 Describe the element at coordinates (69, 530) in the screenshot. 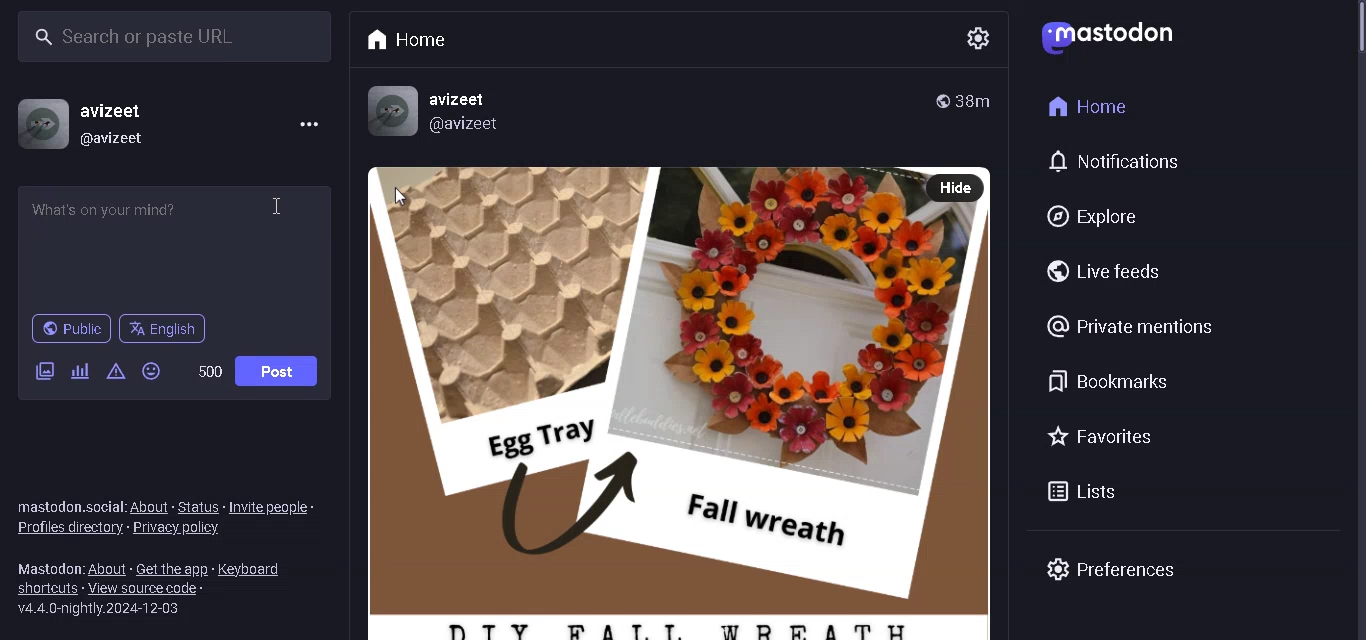

I see `profile directory` at that location.